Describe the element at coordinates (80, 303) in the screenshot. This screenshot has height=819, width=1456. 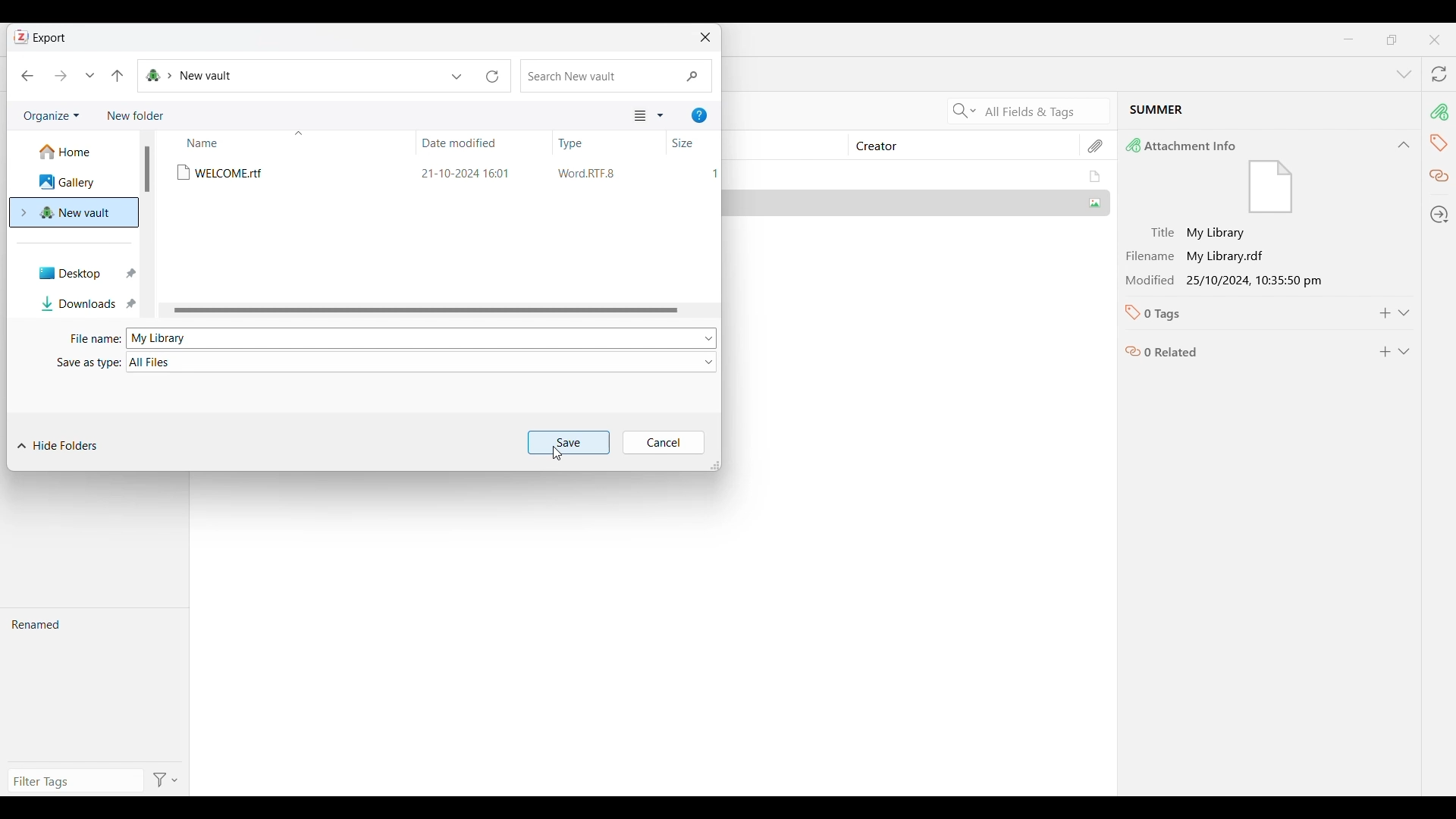
I see `Downloads ` at that location.